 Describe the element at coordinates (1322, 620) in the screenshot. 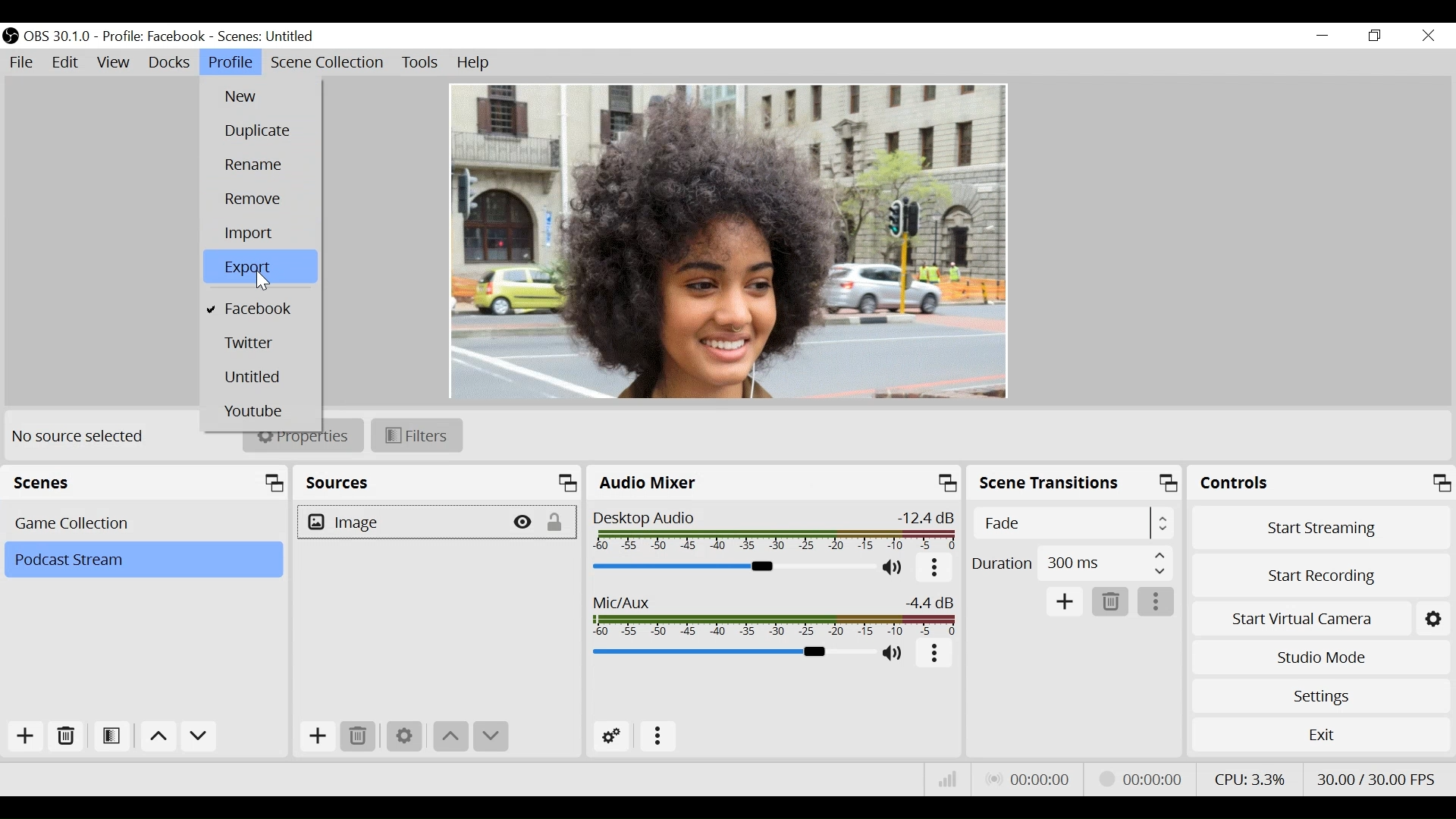

I see `Start Virtual Camera` at that location.